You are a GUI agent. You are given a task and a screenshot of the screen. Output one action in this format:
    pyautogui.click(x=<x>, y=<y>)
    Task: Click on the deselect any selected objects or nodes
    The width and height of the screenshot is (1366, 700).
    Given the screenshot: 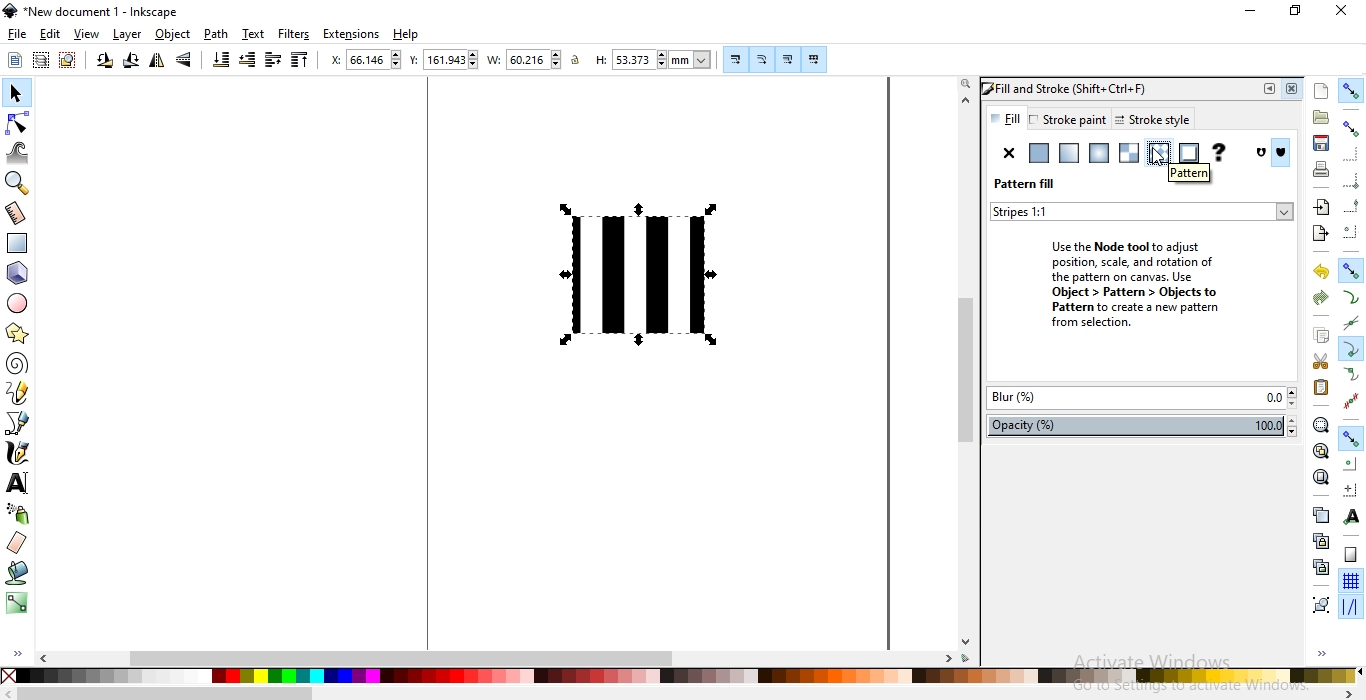 What is the action you would take?
    pyautogui.click(x=66, y=61)
    